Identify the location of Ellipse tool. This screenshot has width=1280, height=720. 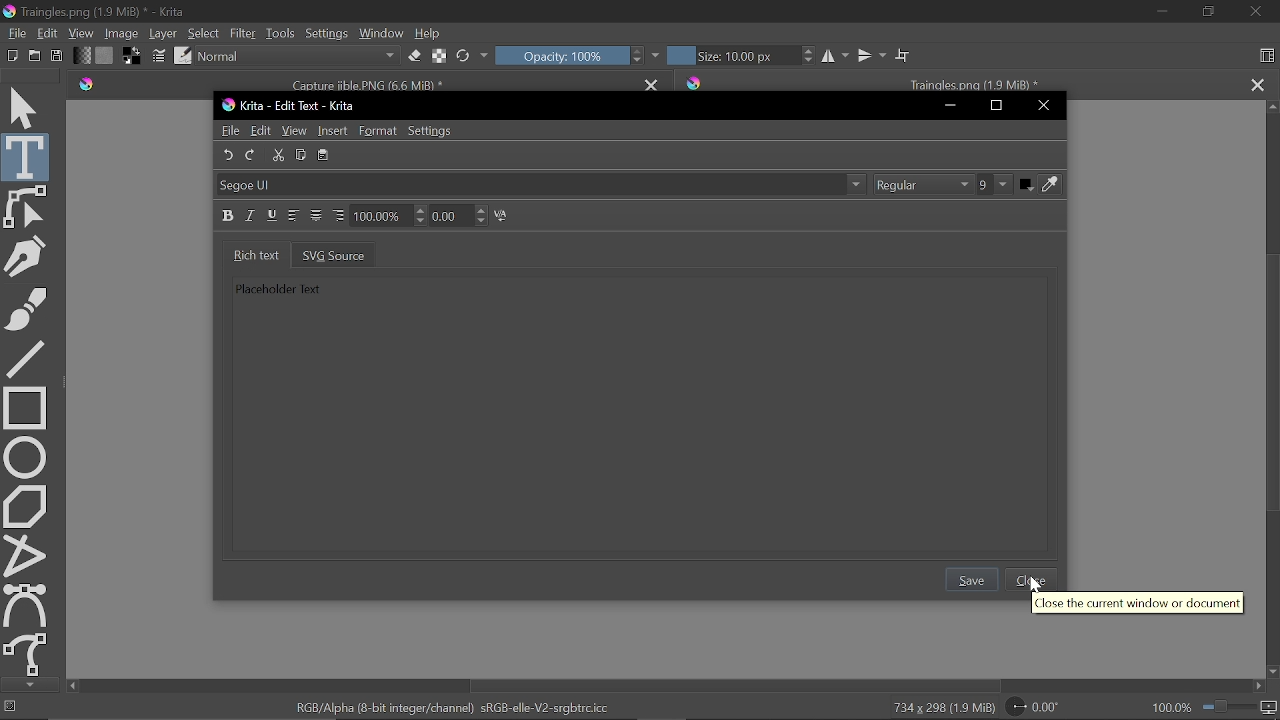
(25, 457).